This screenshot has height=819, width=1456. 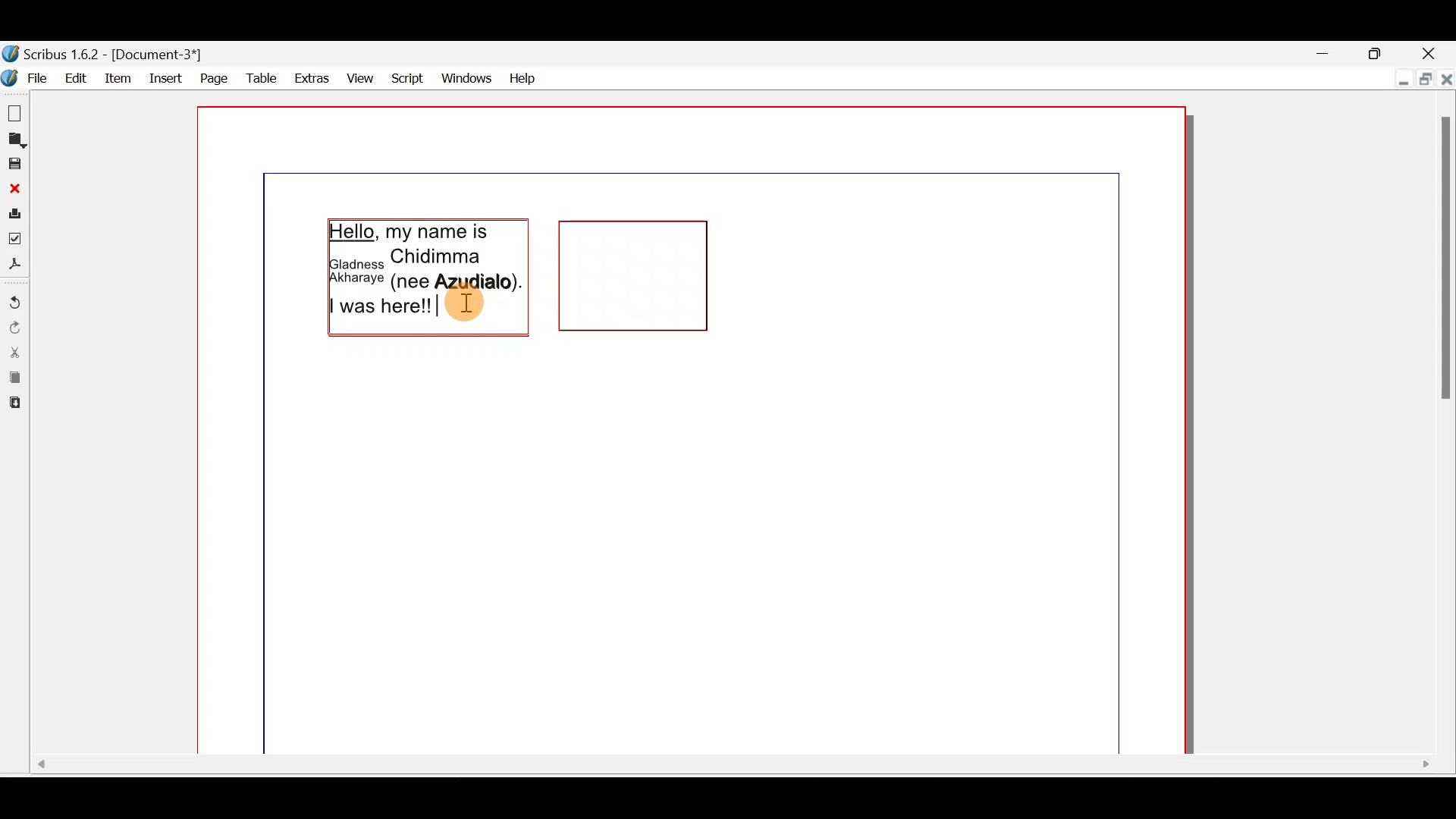 What do you see at coordinates (14, 212) in the screenshot?
I see `Print` at bounding box center [14, 212].